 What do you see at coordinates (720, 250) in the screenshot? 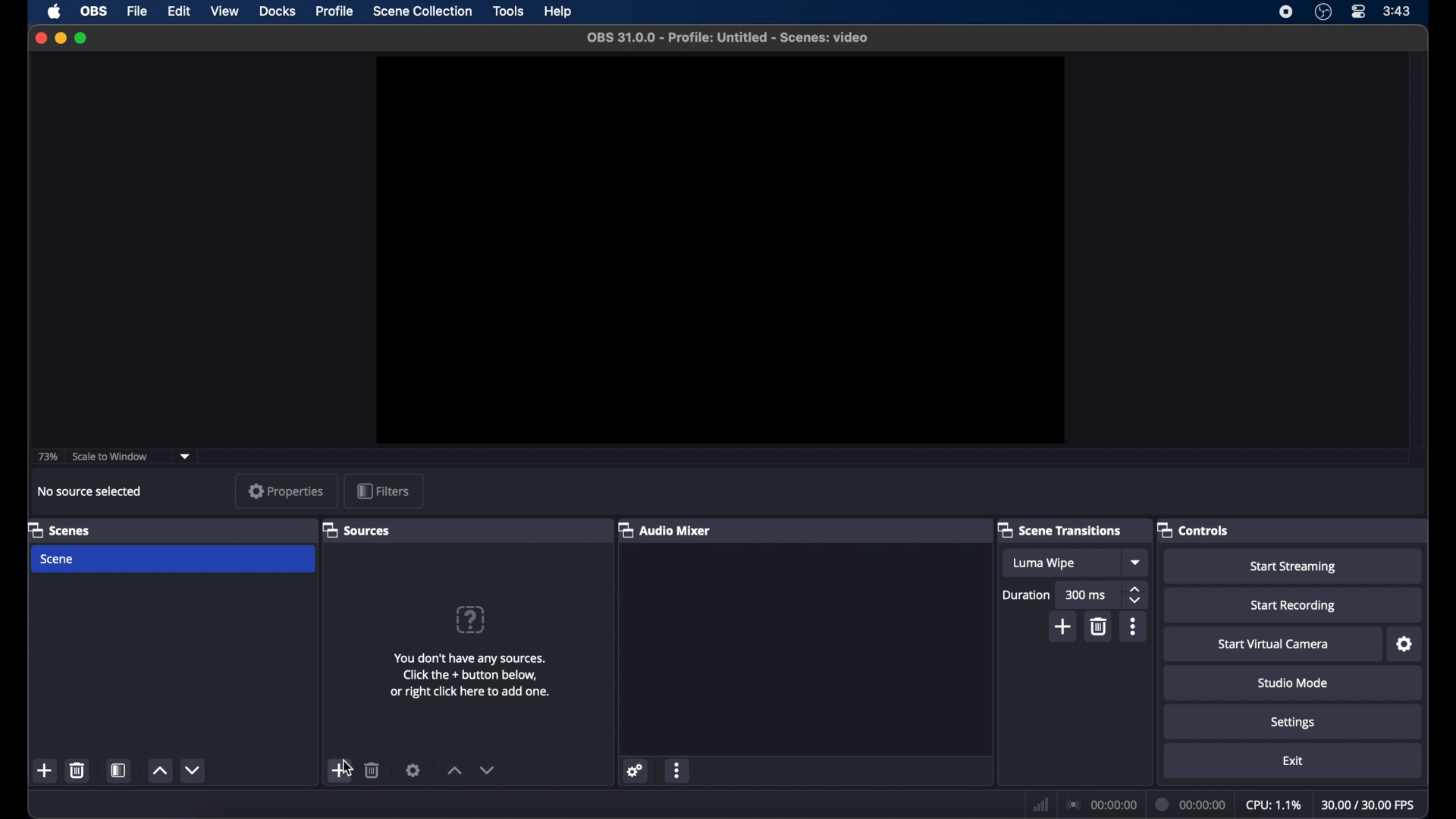
I see `preview` at bounding box center [720, 250].